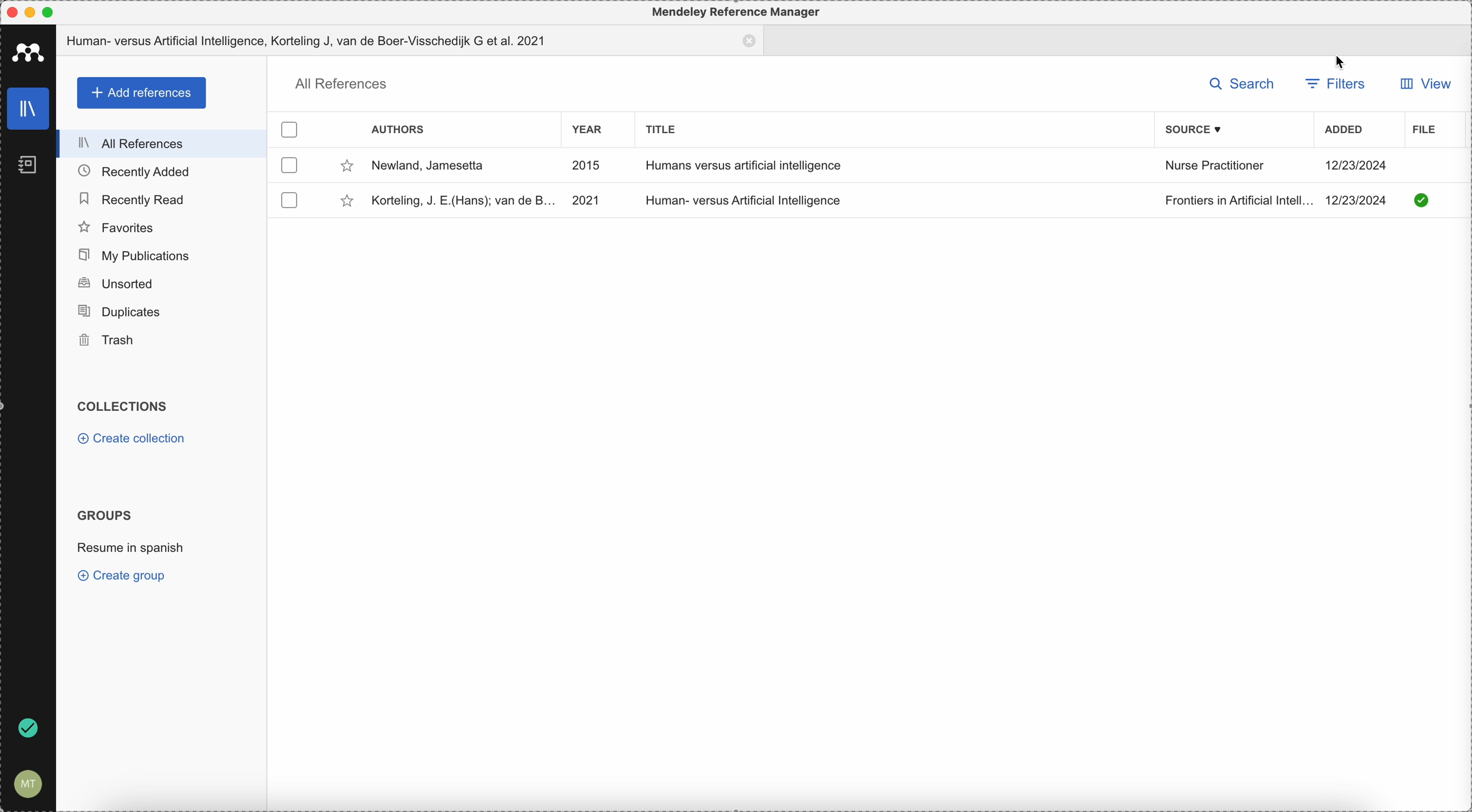 The height and width of the screenshot is (812, 1472). I want to click on groups, so click(105, 515).